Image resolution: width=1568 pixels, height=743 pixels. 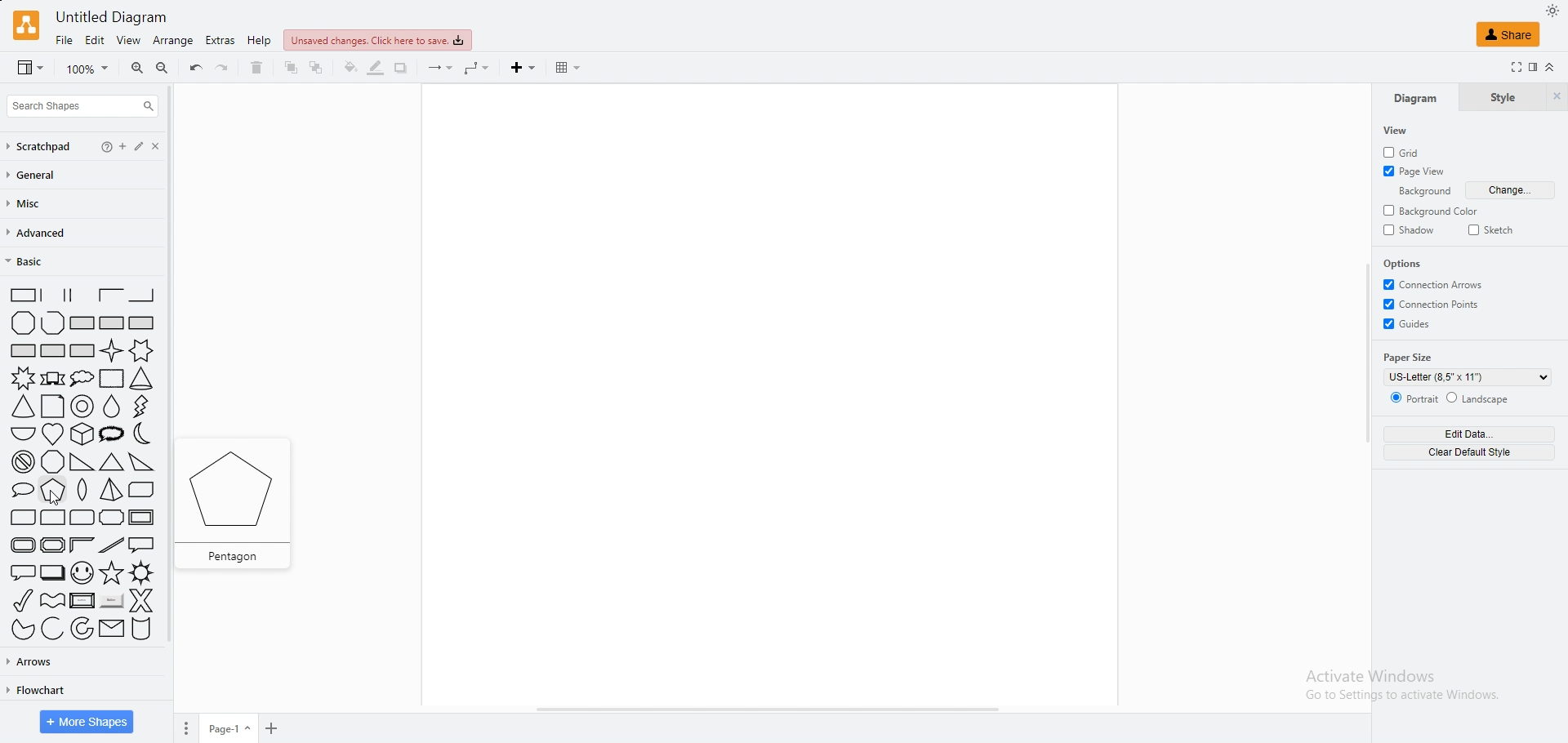 I want to click on partial rectangle, so click(x=19, y=294).